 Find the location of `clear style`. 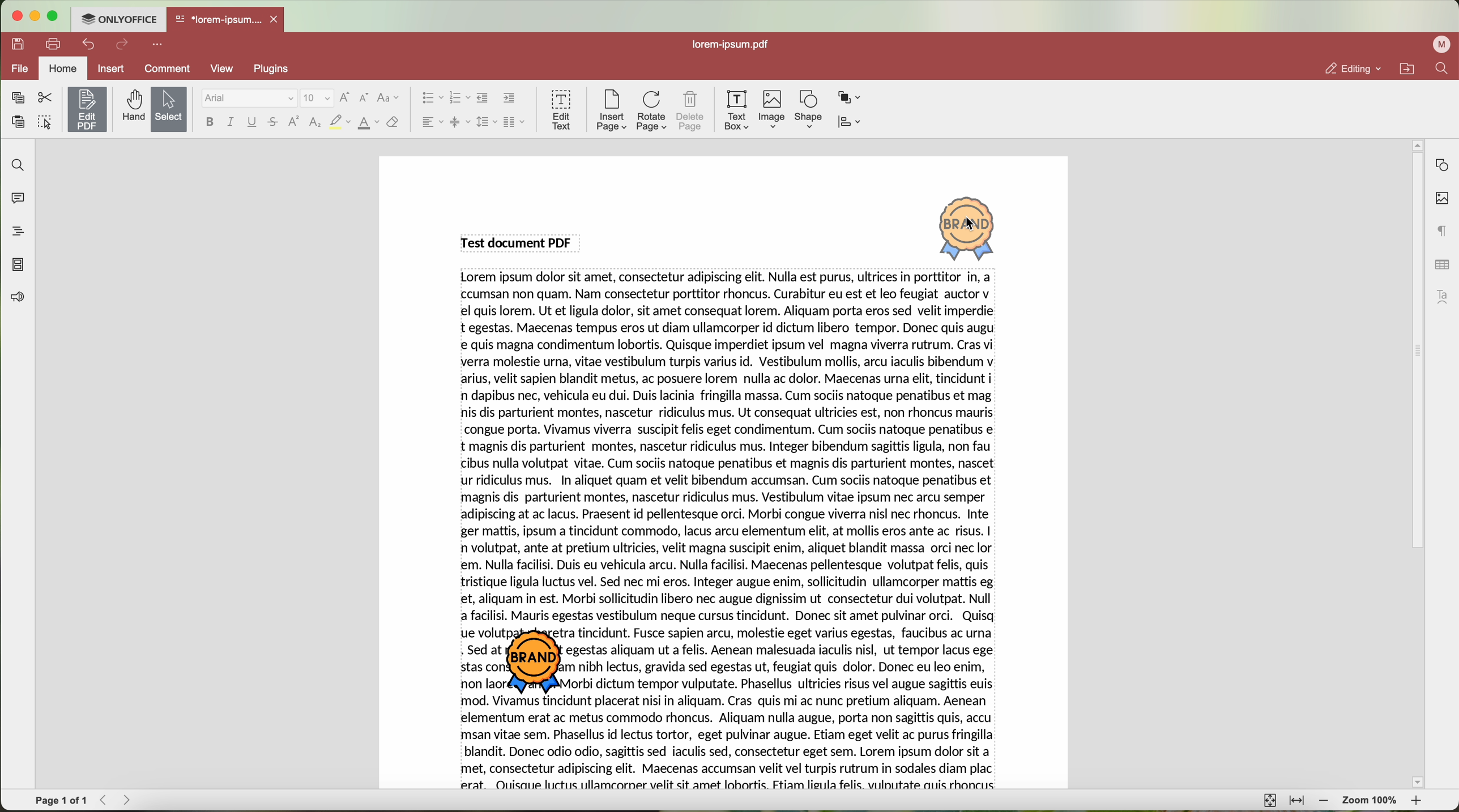

clear style is located at coordinates (393, 123).